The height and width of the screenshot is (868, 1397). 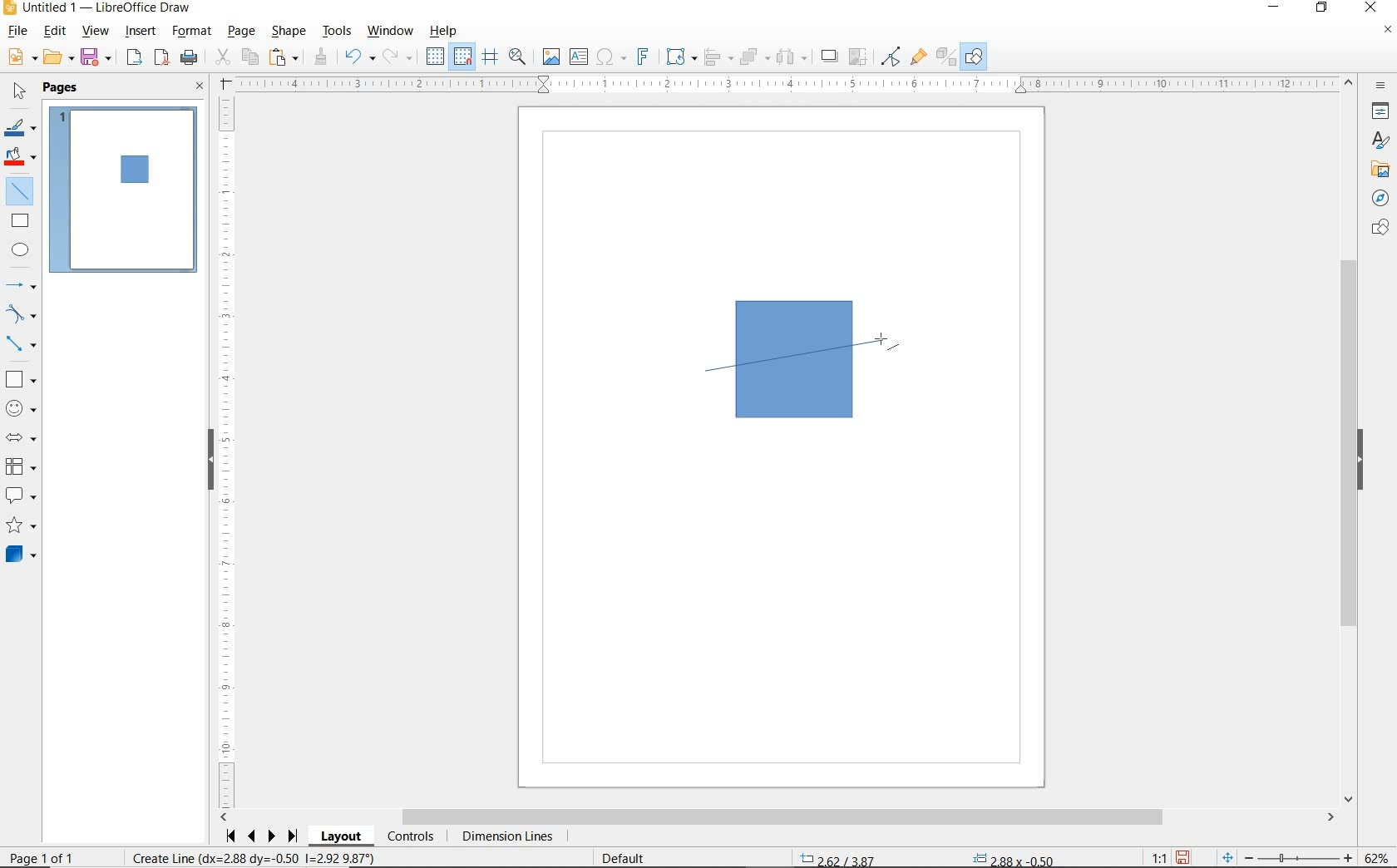 I want to click on PRINT, so click(x=190, y=60).